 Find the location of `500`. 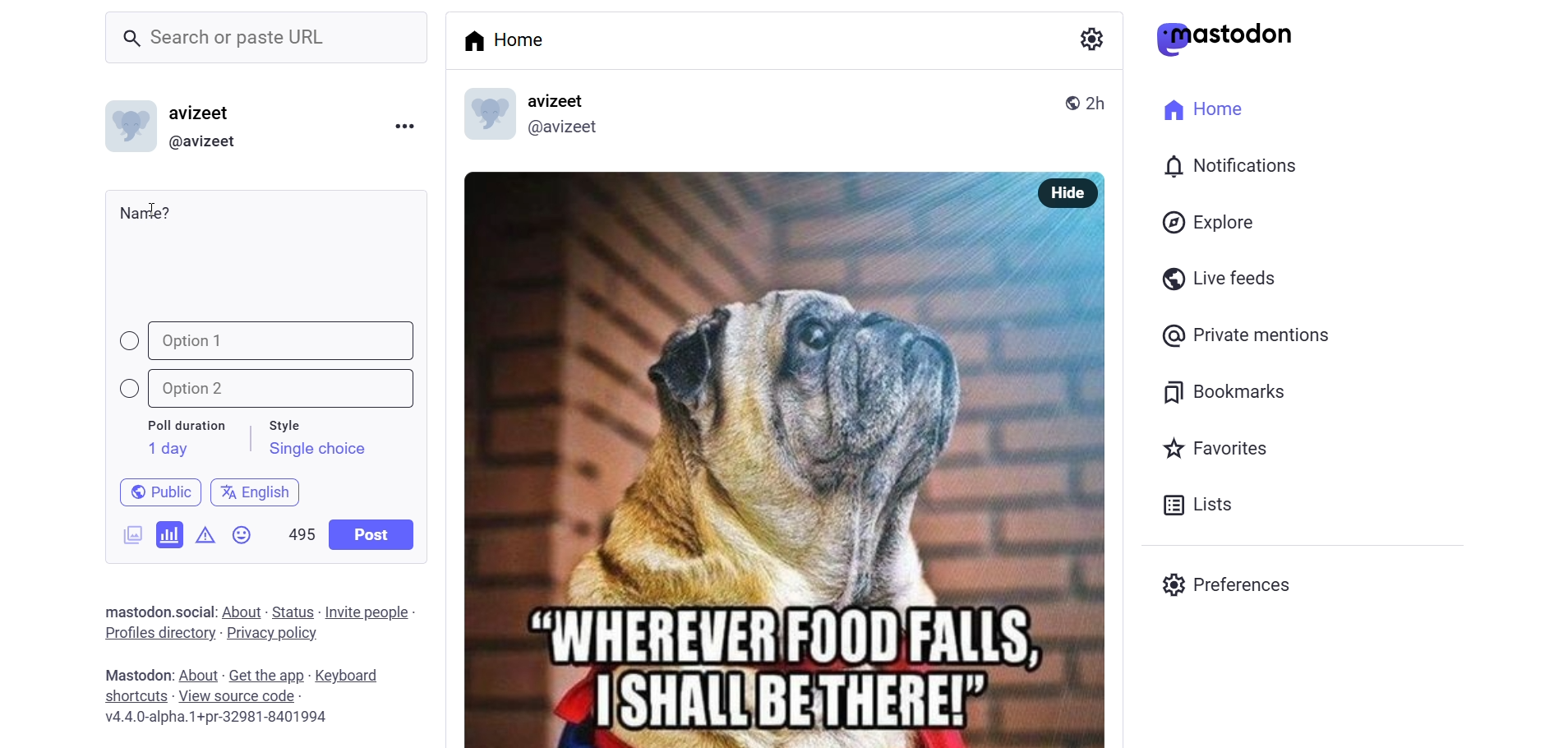

500 is located at coordinates (300, 531).